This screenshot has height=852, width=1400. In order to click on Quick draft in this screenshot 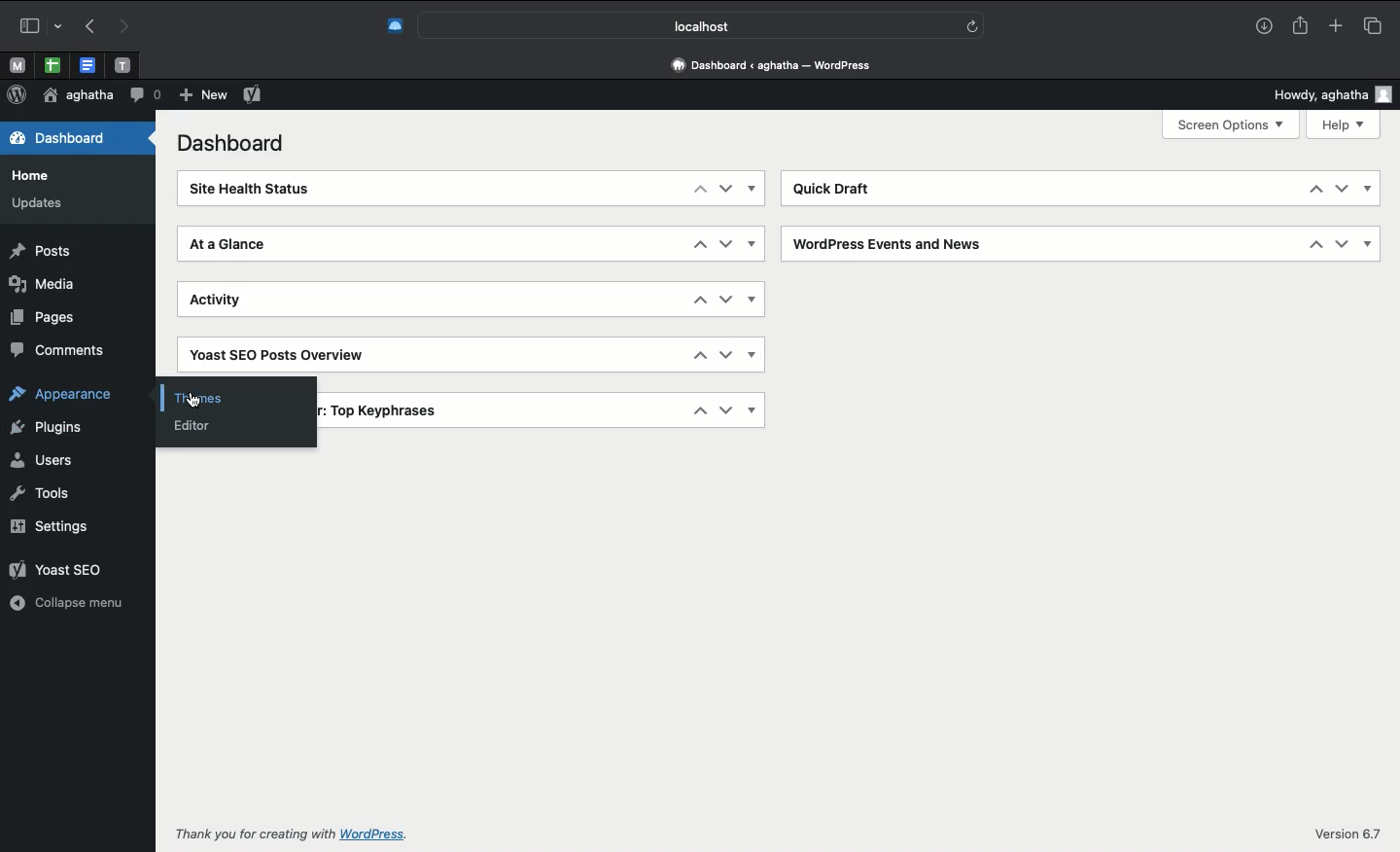, I will do `click(840, 188)`.